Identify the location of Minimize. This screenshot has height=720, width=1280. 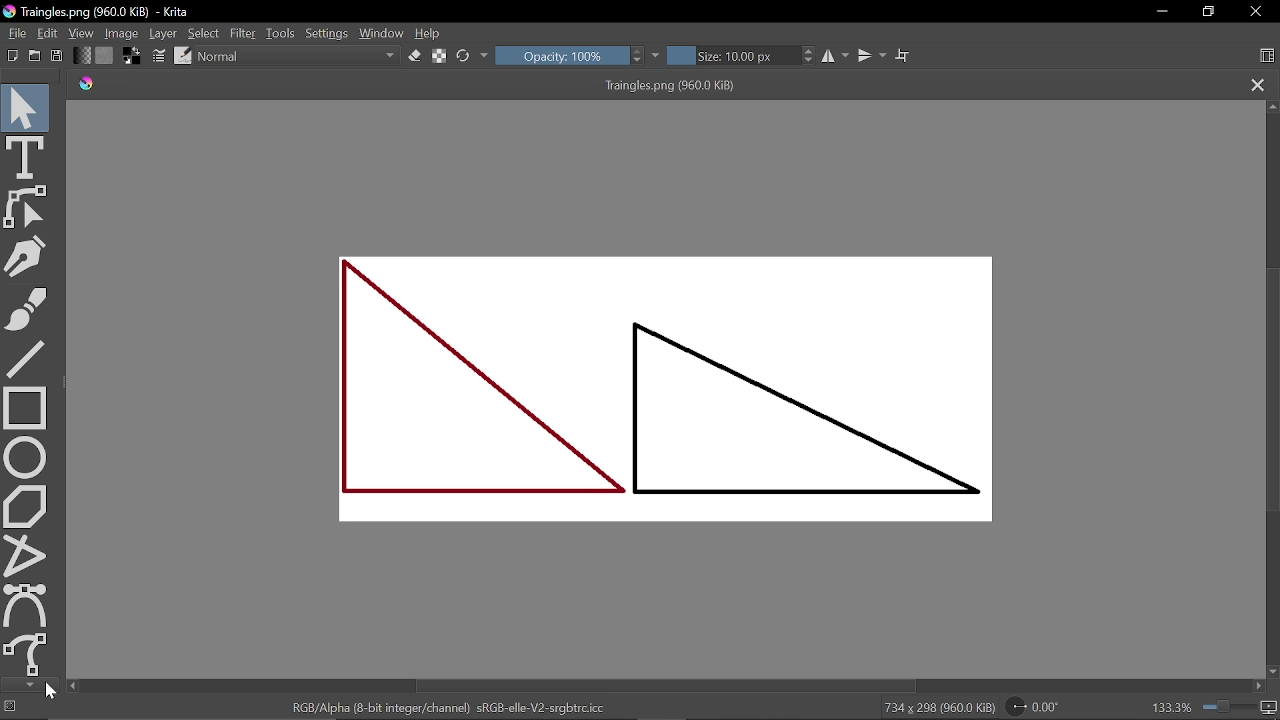
(1159, 12).